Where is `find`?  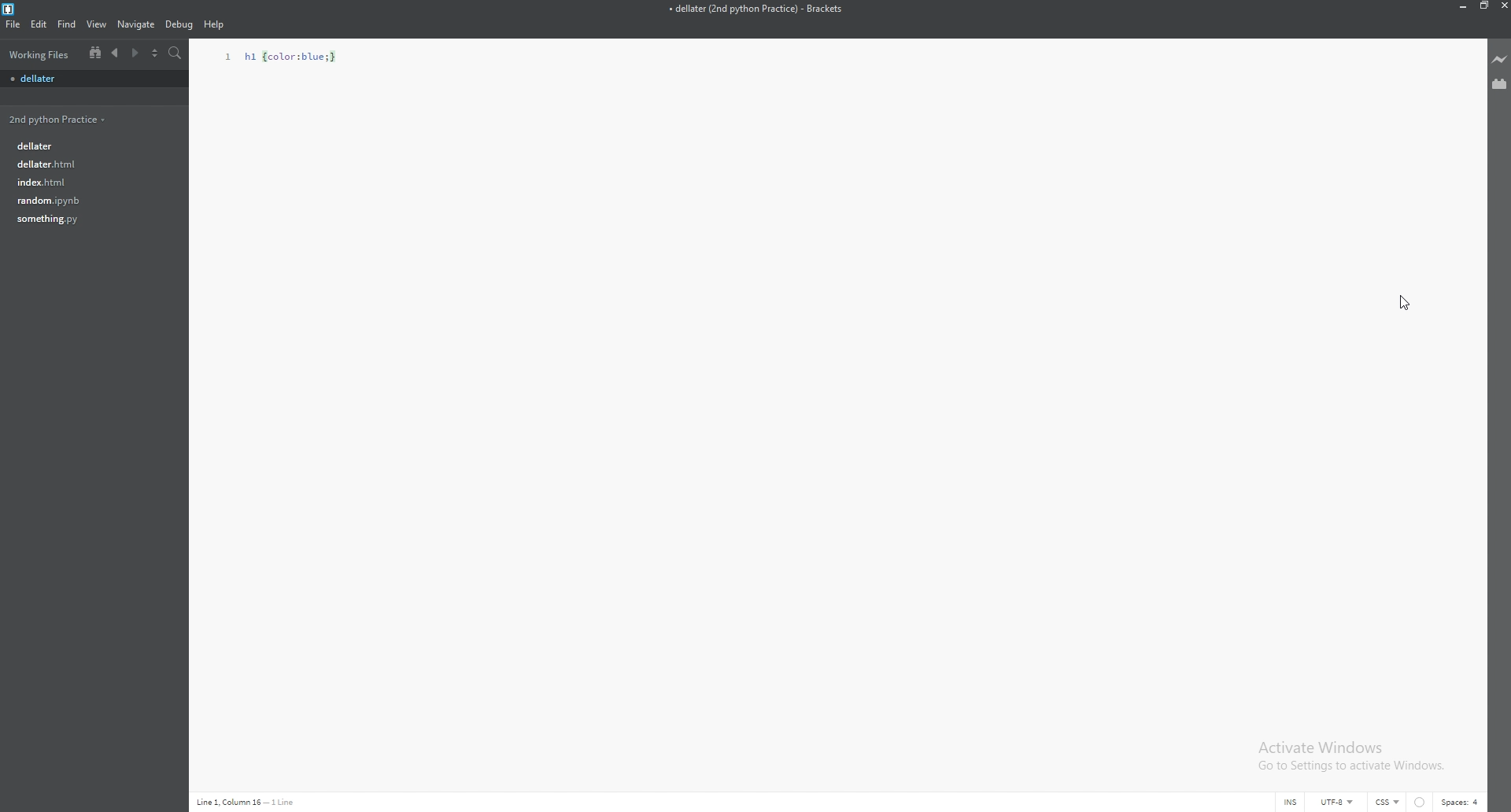
find is located at coordinates (68, 24).